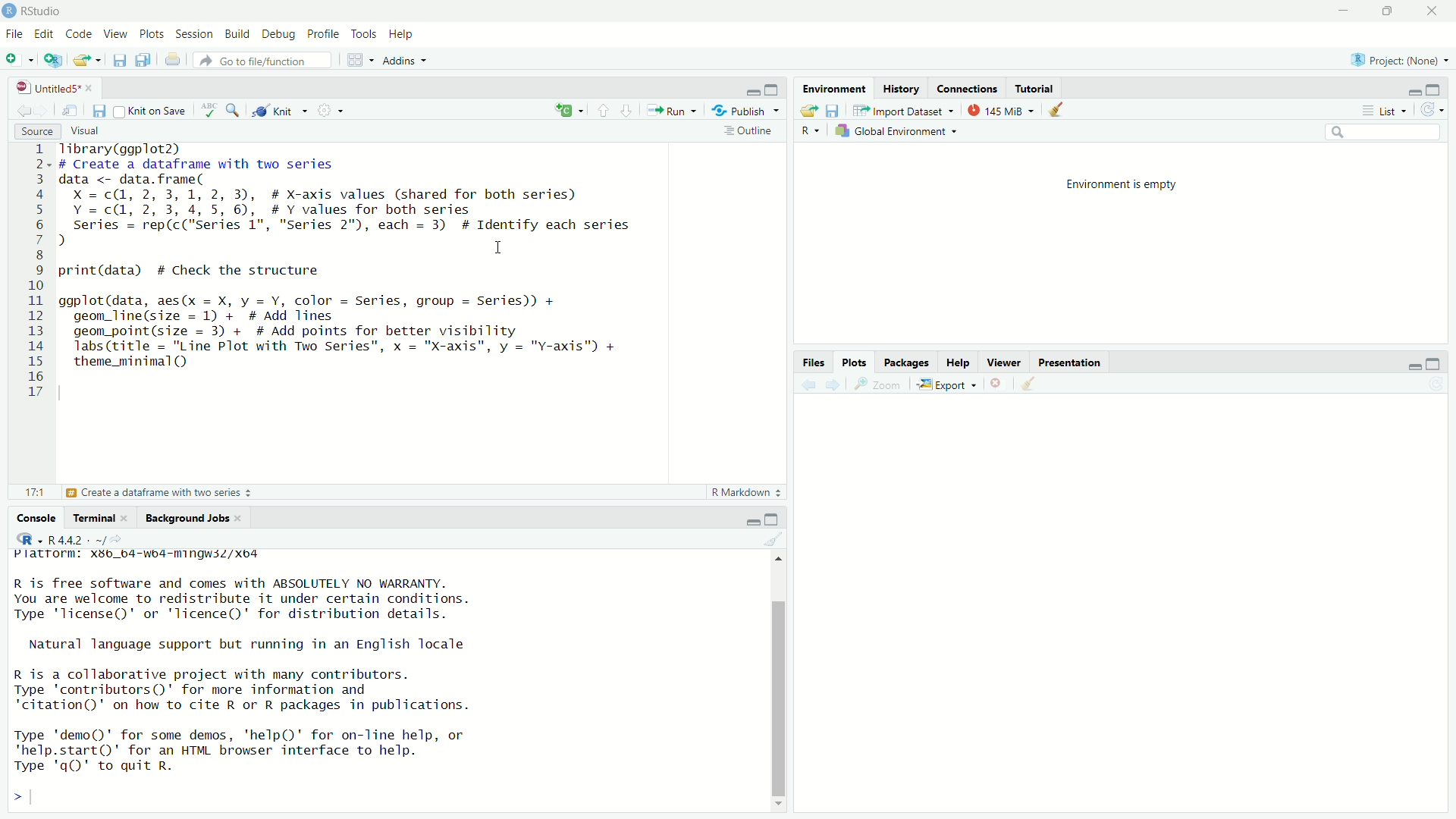  I want to click on R, so click(811, 132).